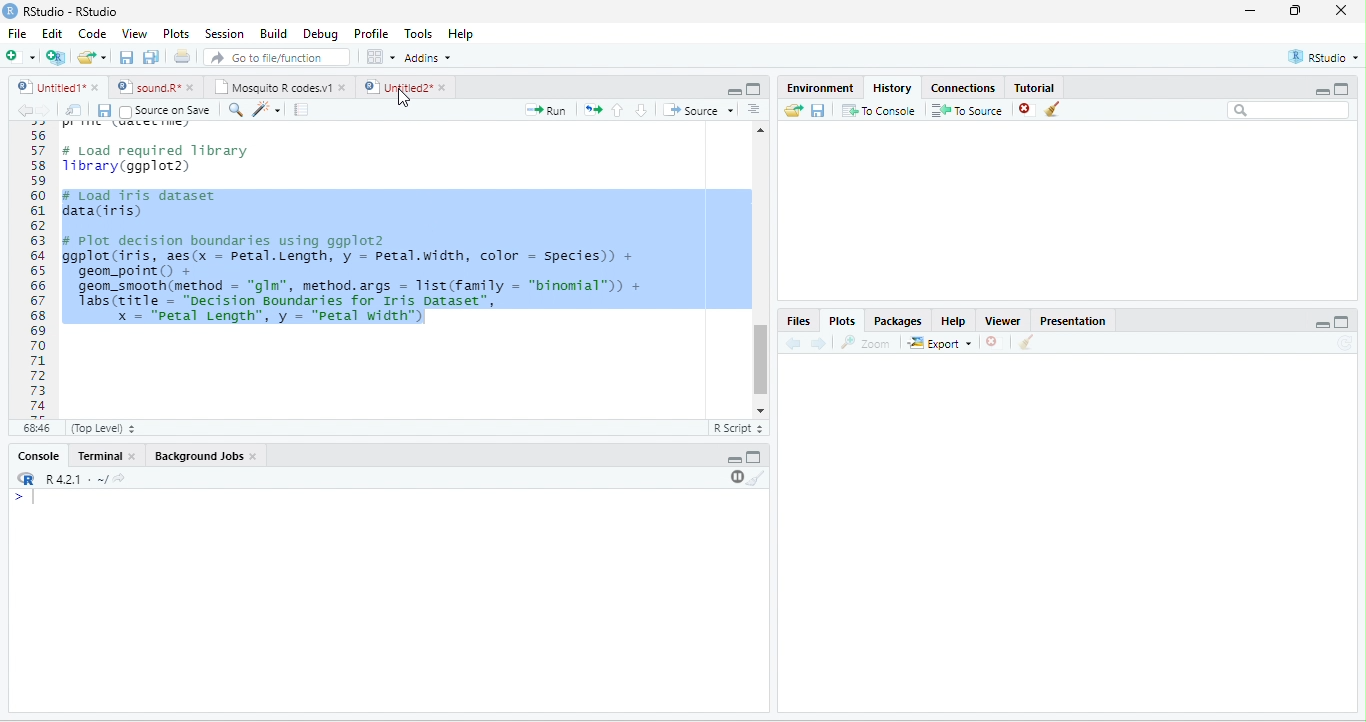  I want to click on tools, so click(265, 111).